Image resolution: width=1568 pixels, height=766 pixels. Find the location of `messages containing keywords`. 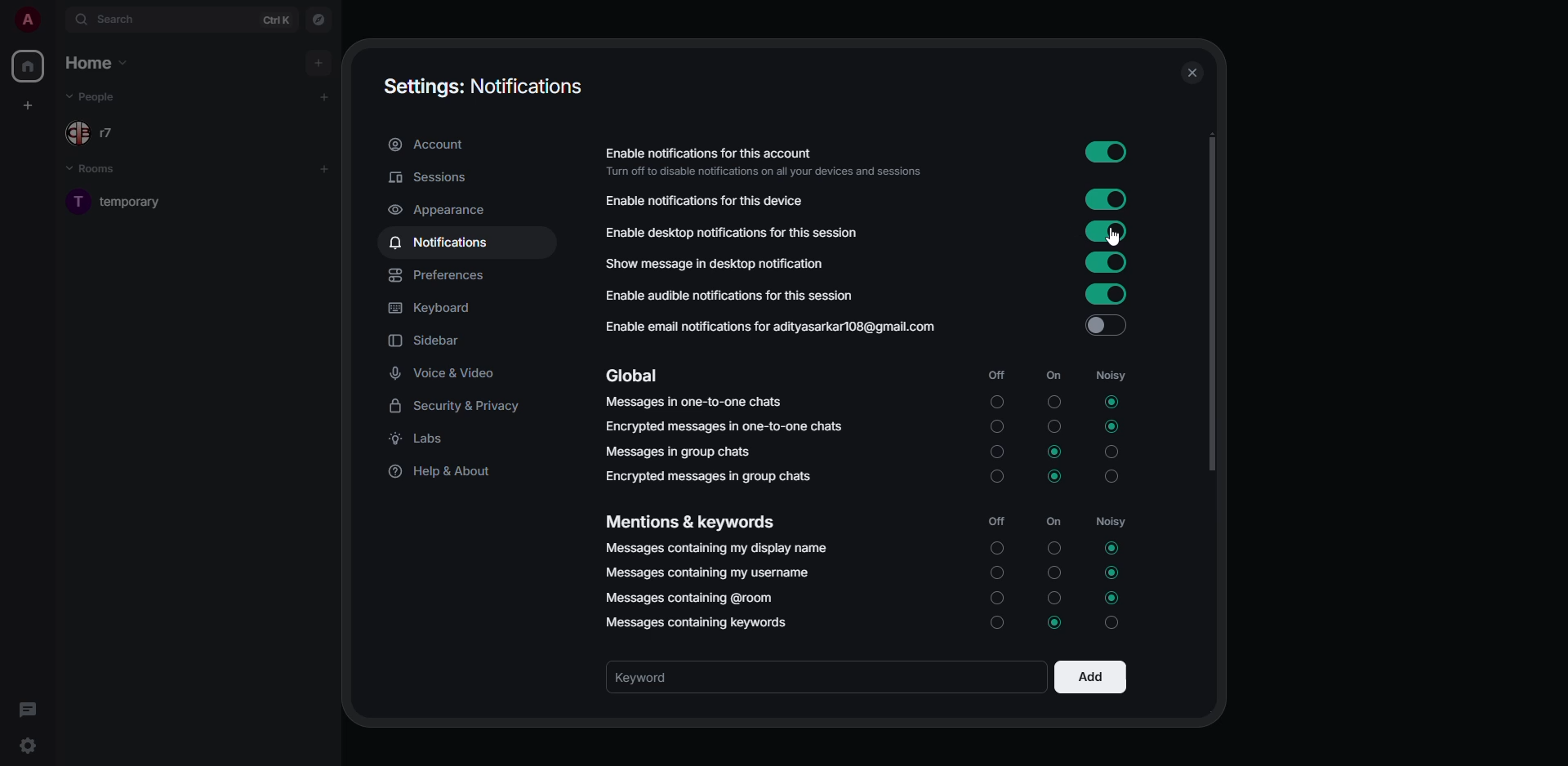

messages containing keywords is located at coordinates (702, 622).